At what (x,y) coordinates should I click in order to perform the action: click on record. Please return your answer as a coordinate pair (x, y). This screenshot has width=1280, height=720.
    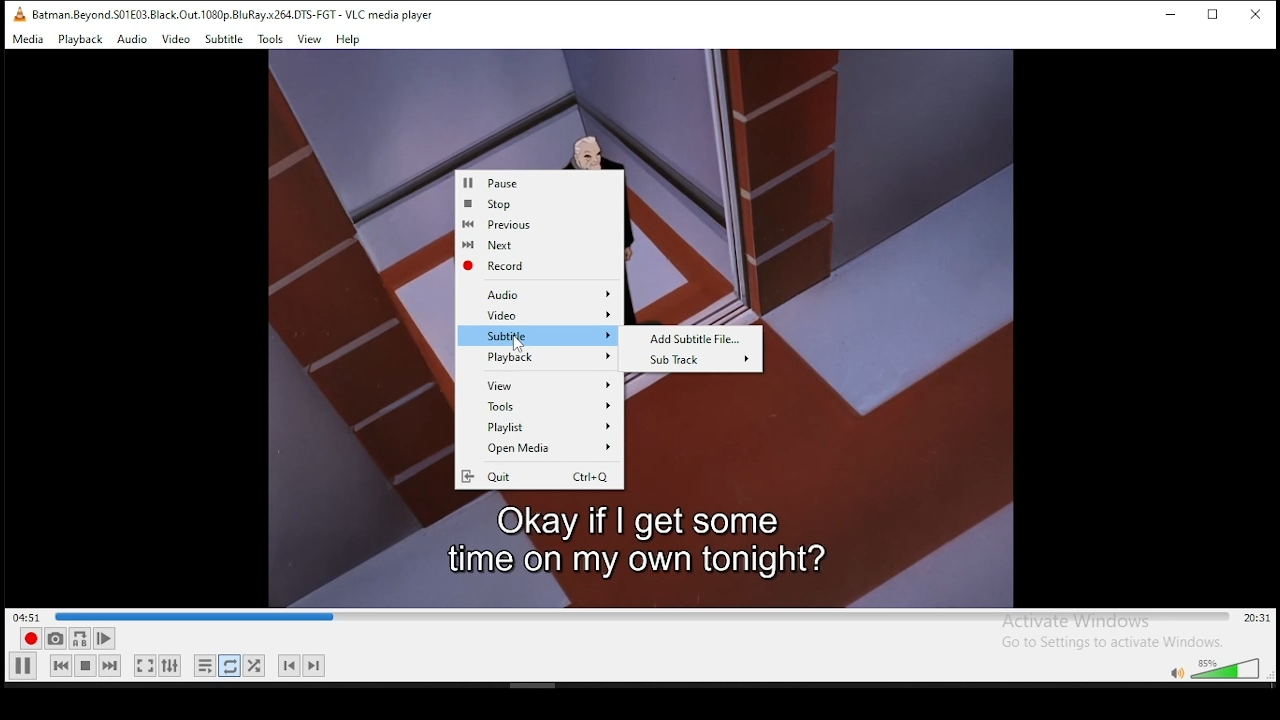
    Looking at the image, I should click on (30, 639).